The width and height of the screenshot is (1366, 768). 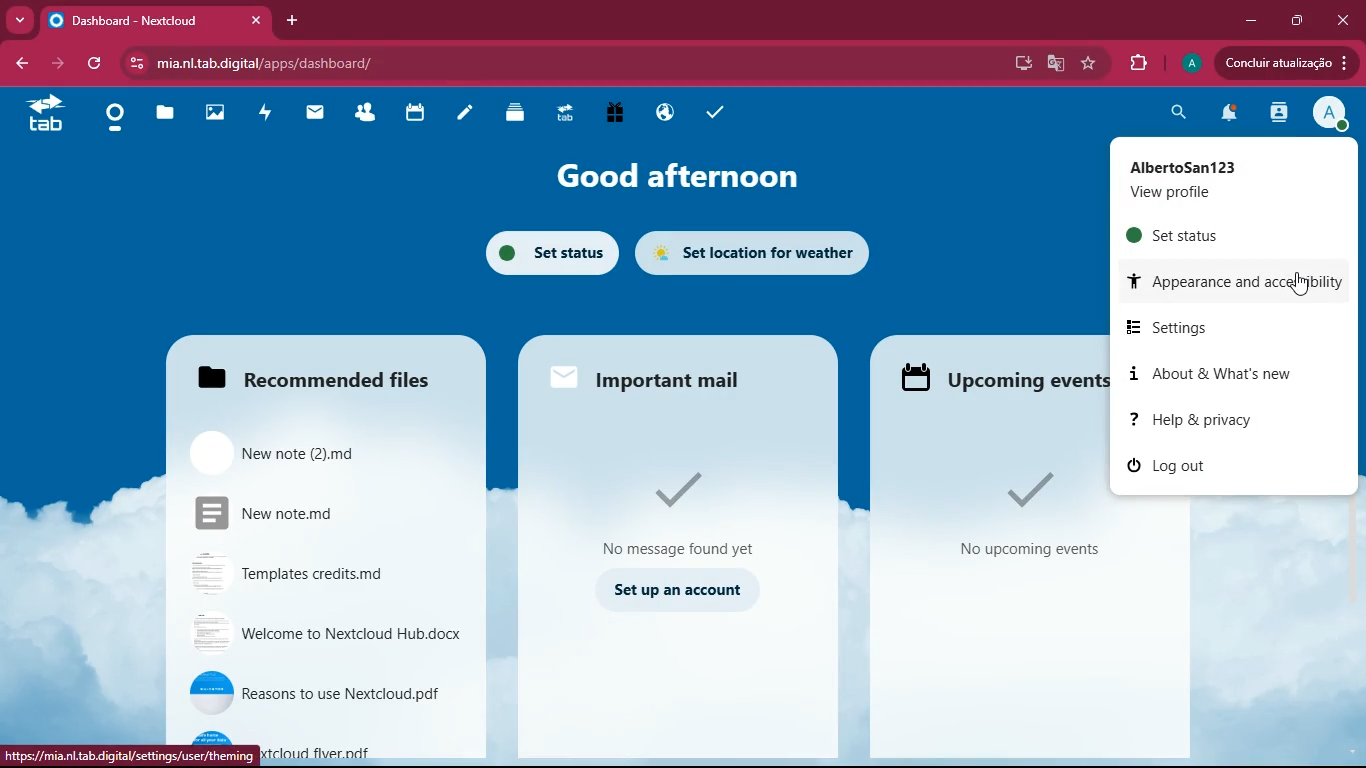 What do you see at coordinates (617, 114) in the screenshot?
I see `gift` at bounding box center [617, 114].